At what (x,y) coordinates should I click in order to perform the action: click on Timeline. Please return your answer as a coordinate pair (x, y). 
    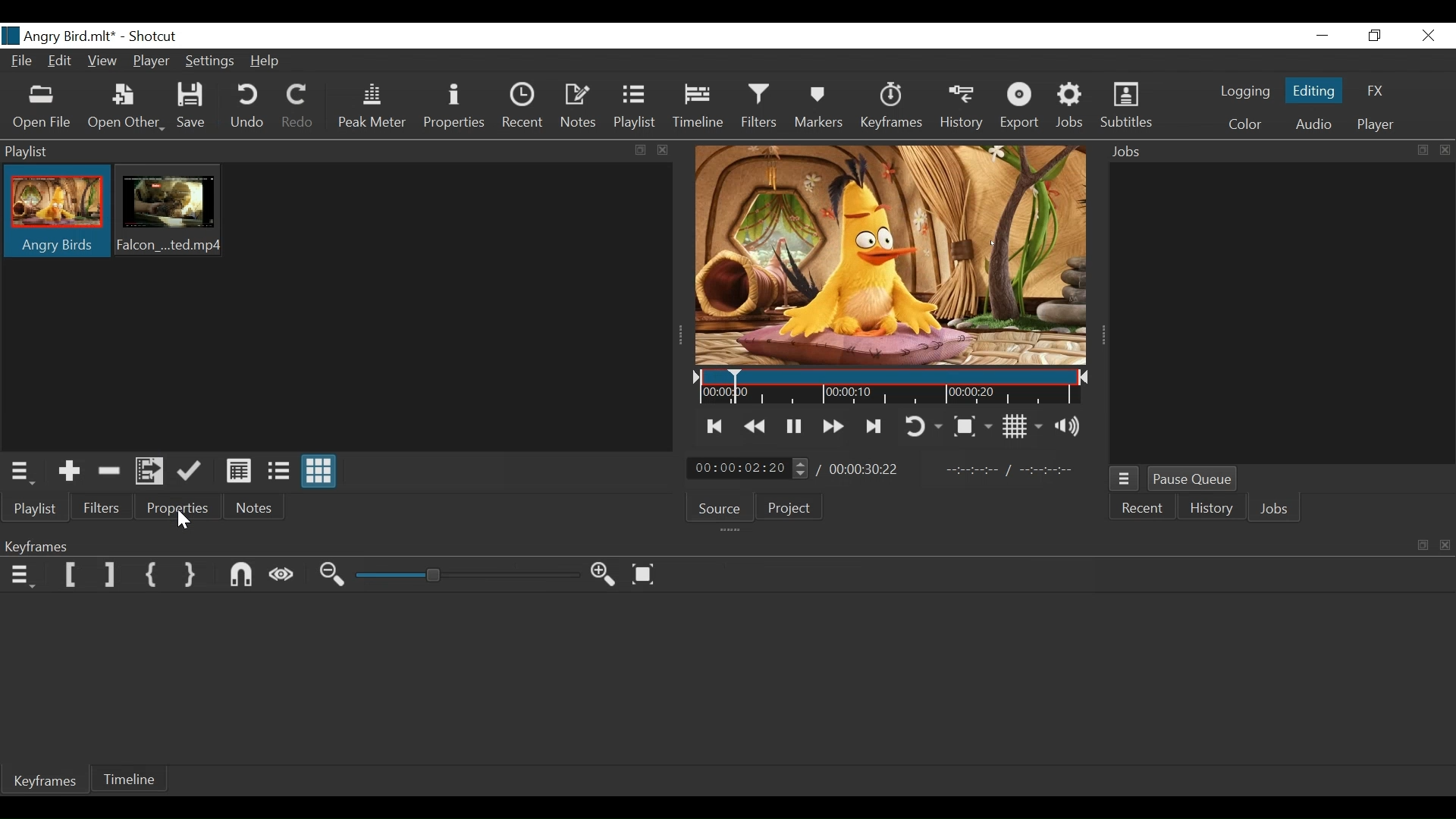
    Looking at the image, I should click on (893, 388).